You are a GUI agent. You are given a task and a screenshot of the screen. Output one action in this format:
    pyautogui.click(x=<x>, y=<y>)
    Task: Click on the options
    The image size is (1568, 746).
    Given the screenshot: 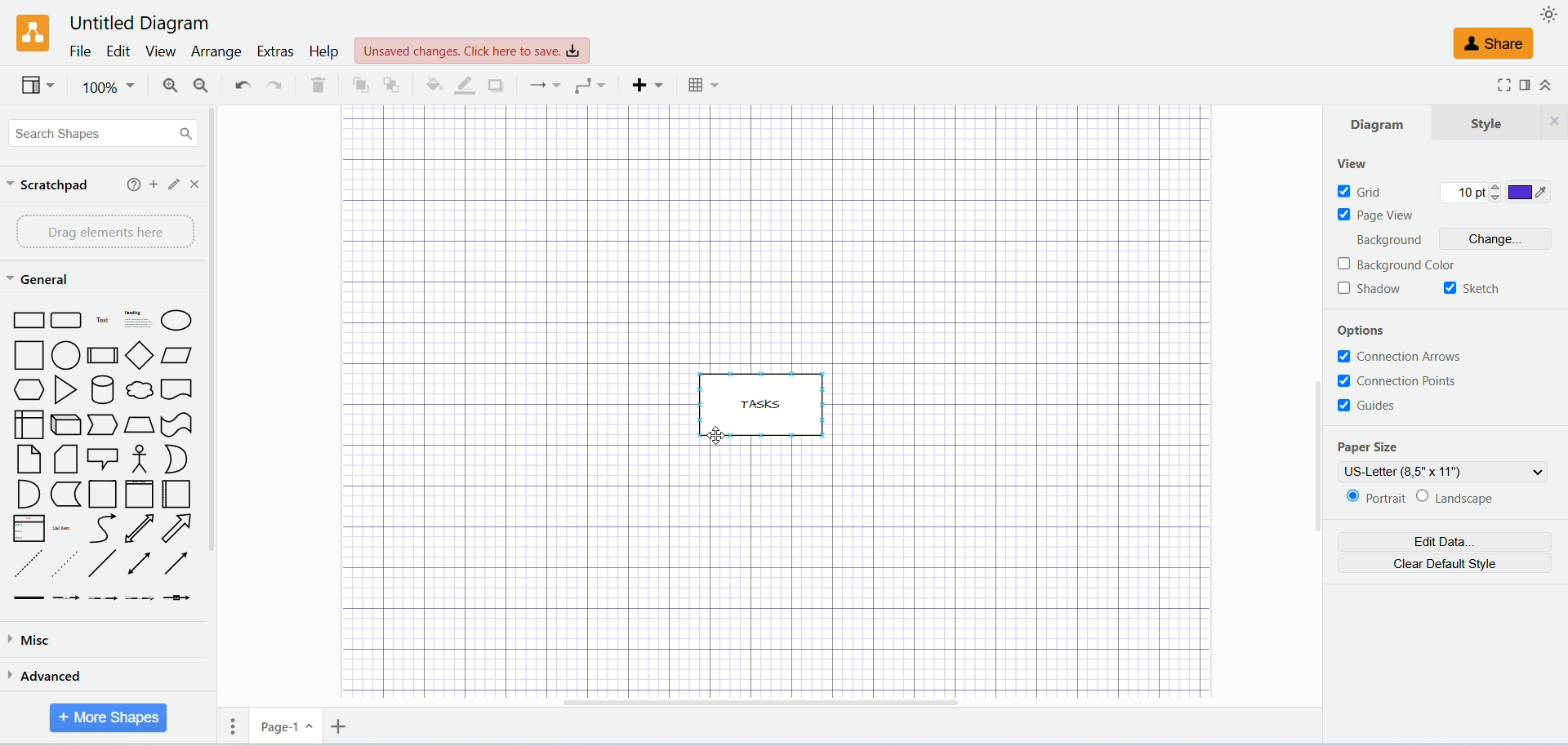 What is the action you would take?
    pyautogui.click(x=1369, y=330)
    